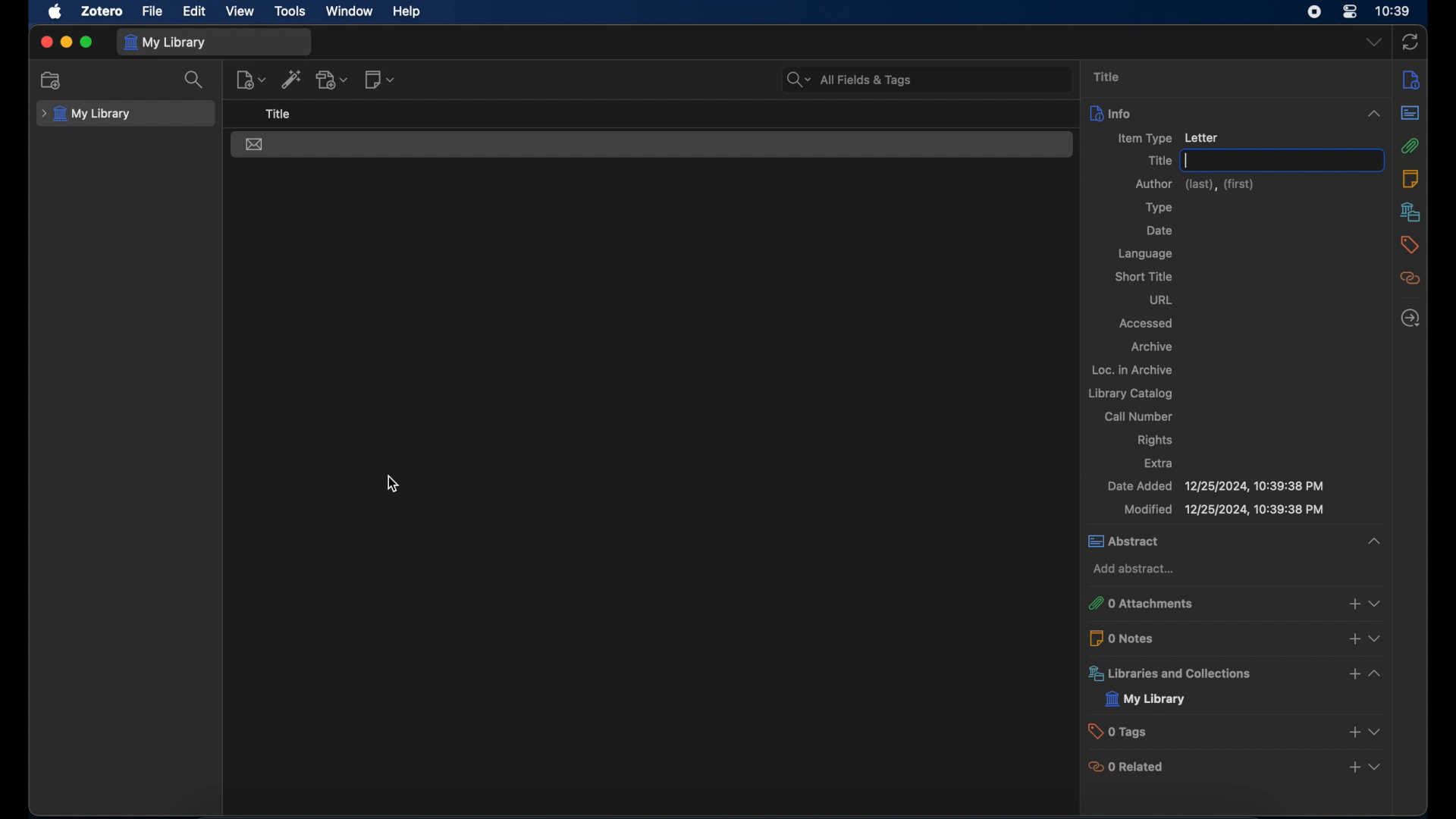 The image size is (1456, 819). Describe the element at coordinates (241, 11) in the screenshot. I see `view` at that location.